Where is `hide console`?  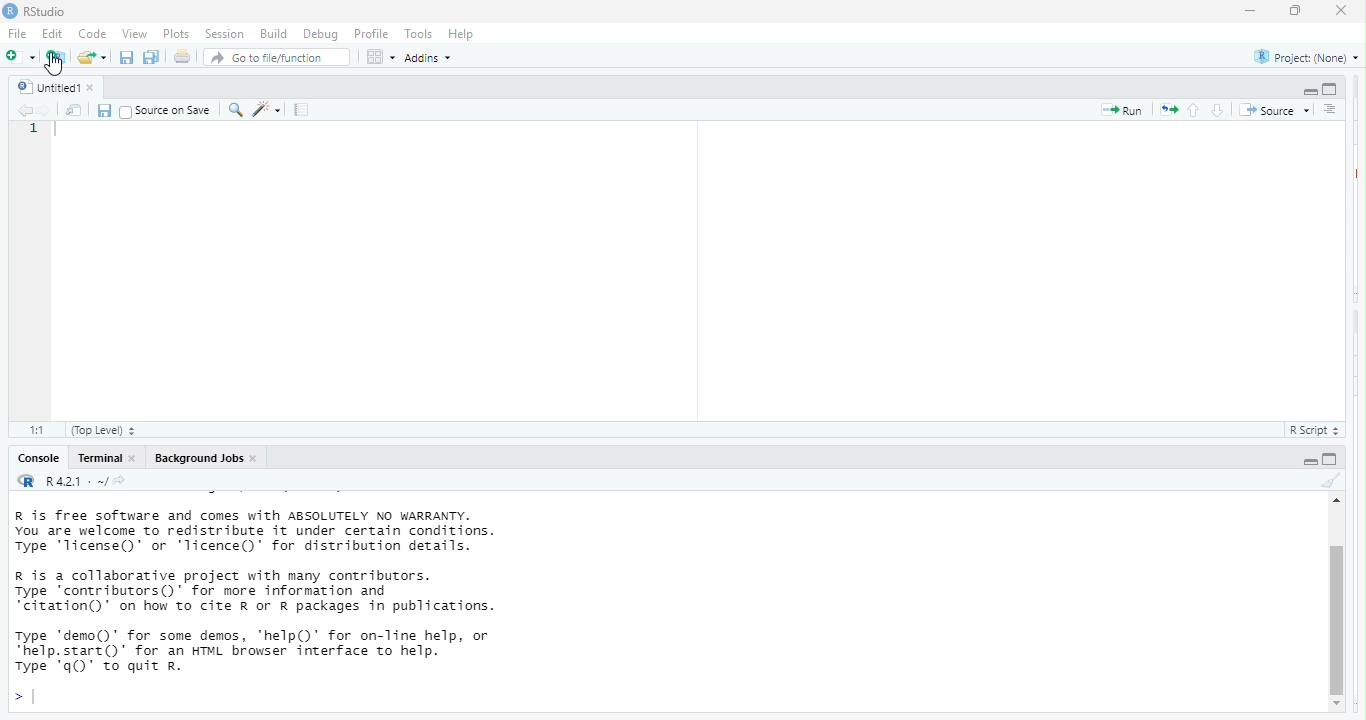 hide console is located at coordinates (1331, 88).